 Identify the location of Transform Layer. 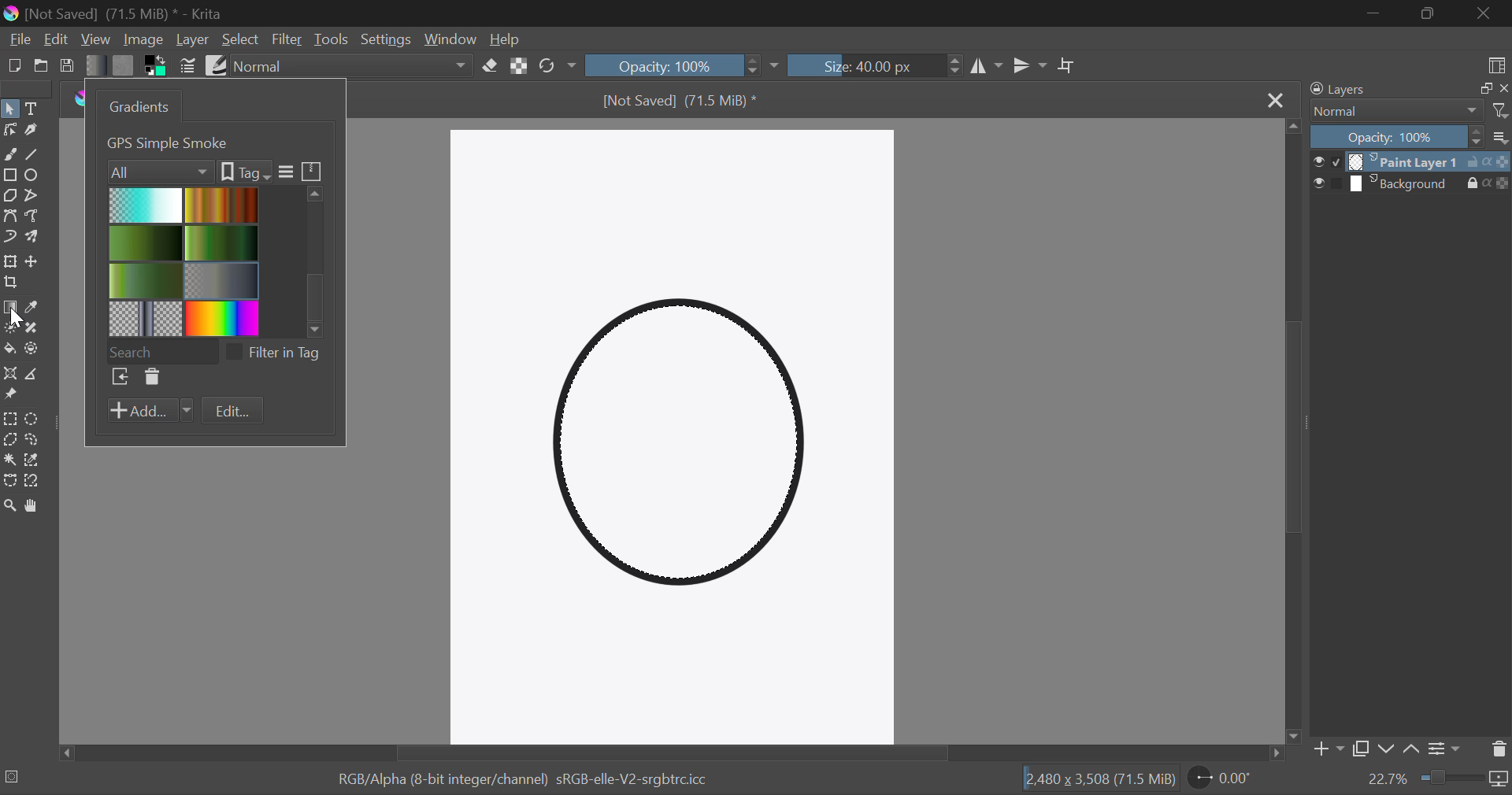
(11, 263).